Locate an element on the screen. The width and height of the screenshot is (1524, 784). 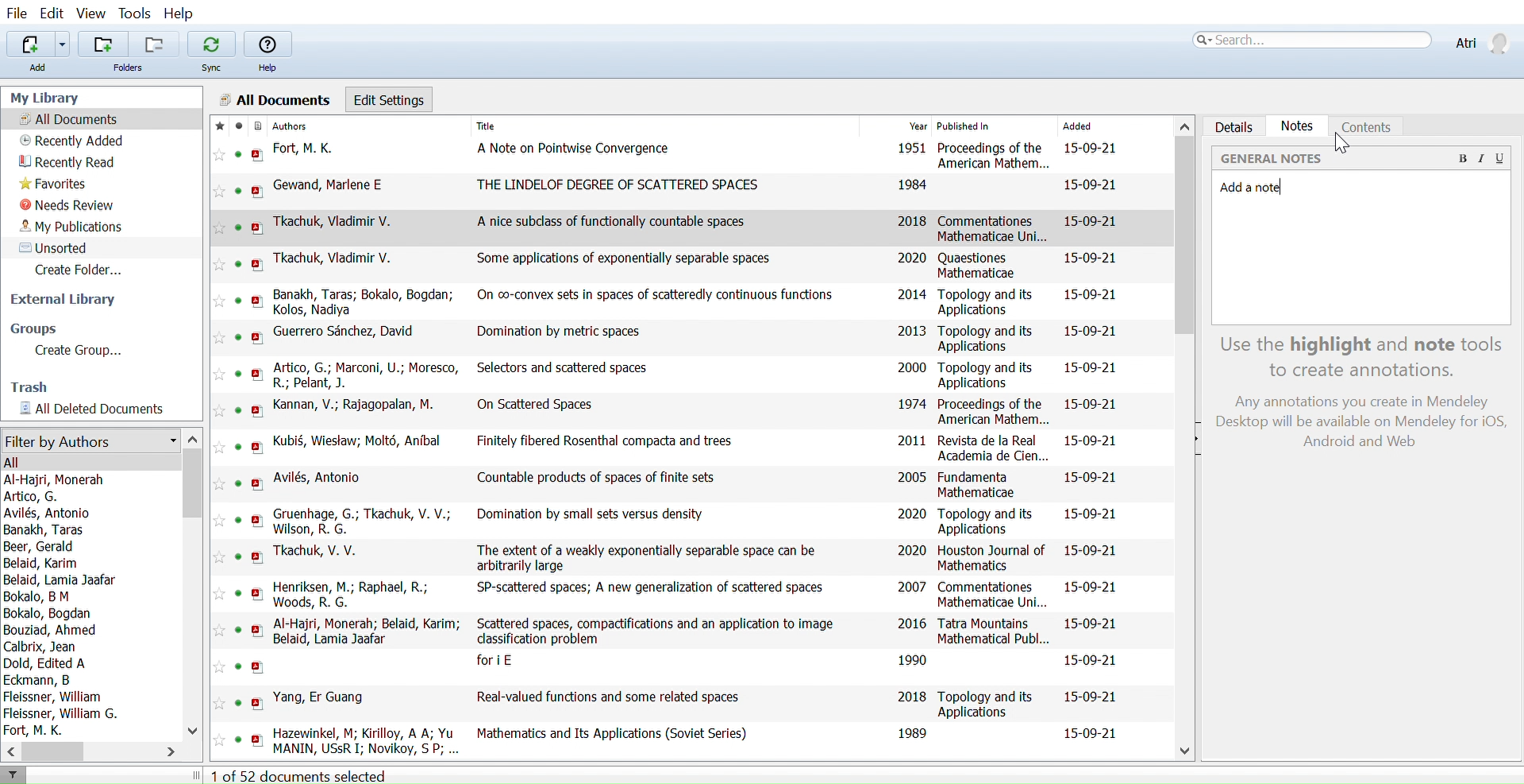
View is located at coordinates (93, 14).